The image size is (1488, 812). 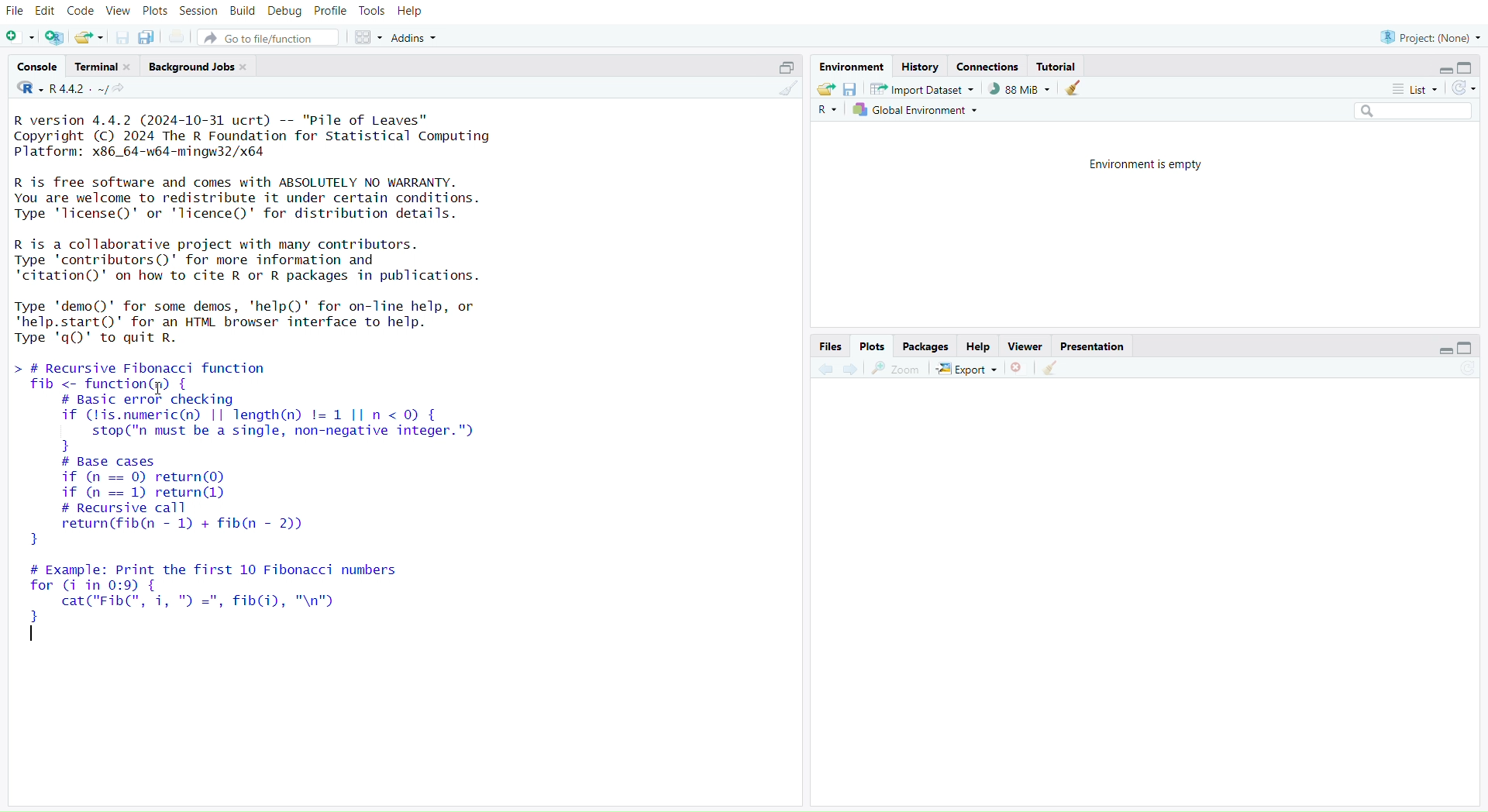 What do you see at coordinates (1407, 111) in the screenshot?
I see `search` at bounding box center [1407, 111].